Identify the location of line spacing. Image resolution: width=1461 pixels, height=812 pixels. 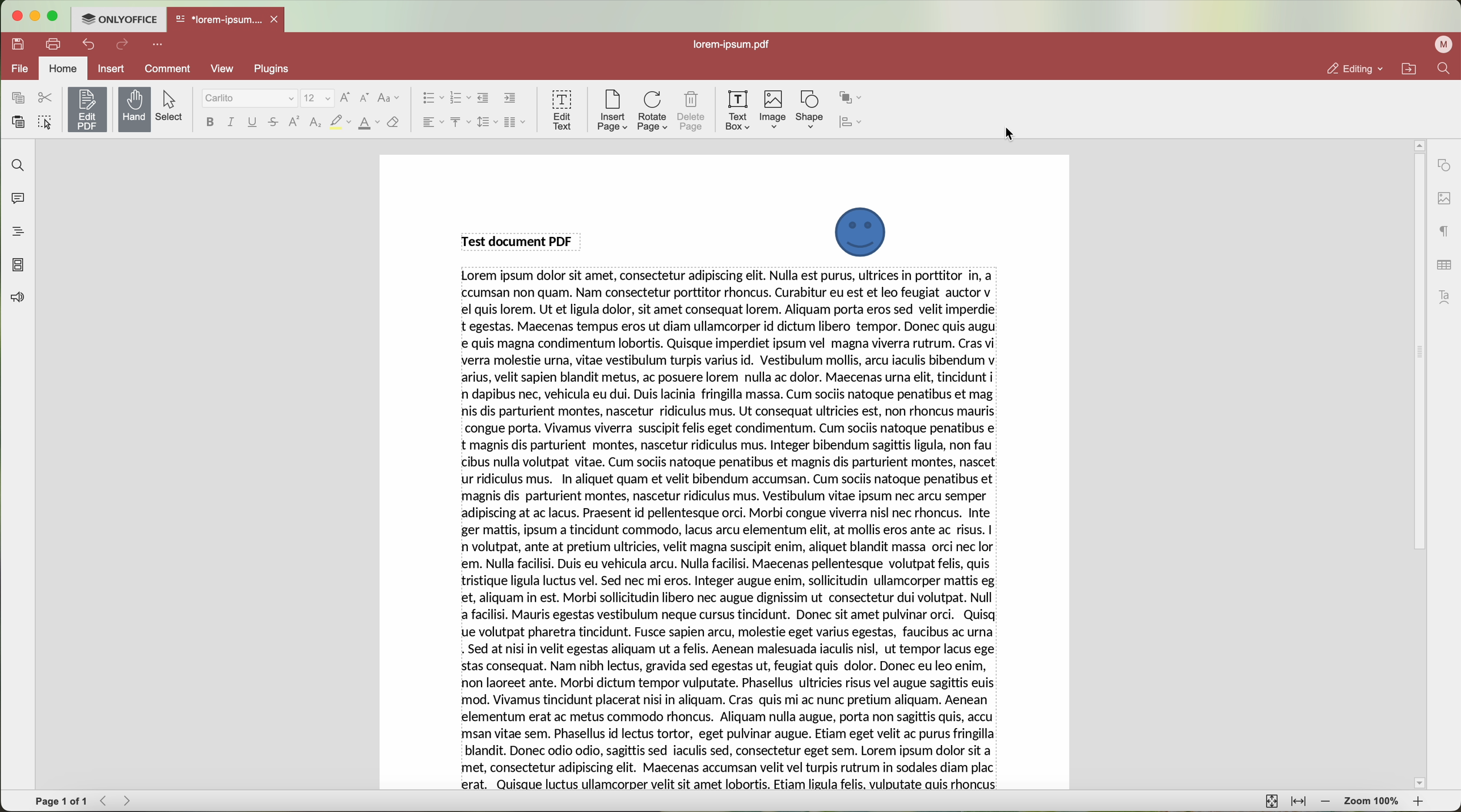
(485, 122).